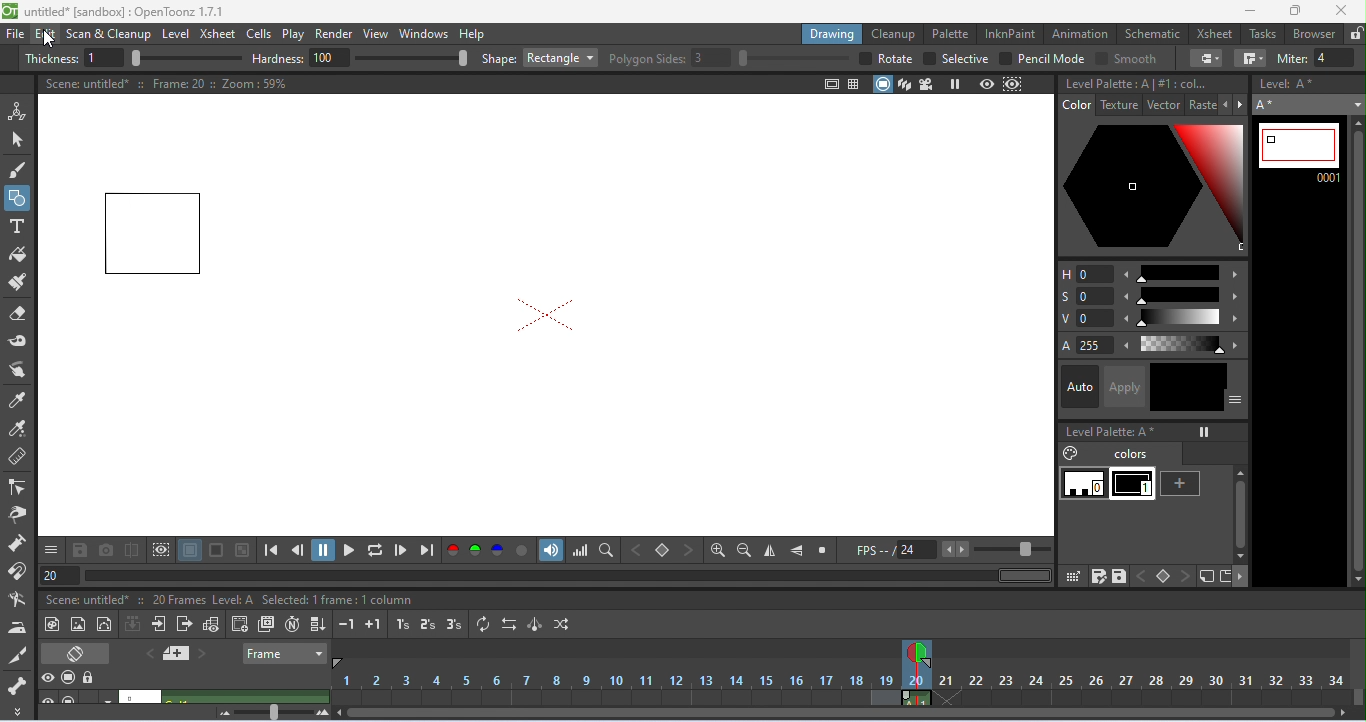 This screenshot has height=722, width=1366. I want to click on scene untitled 2, so click(129, 696).